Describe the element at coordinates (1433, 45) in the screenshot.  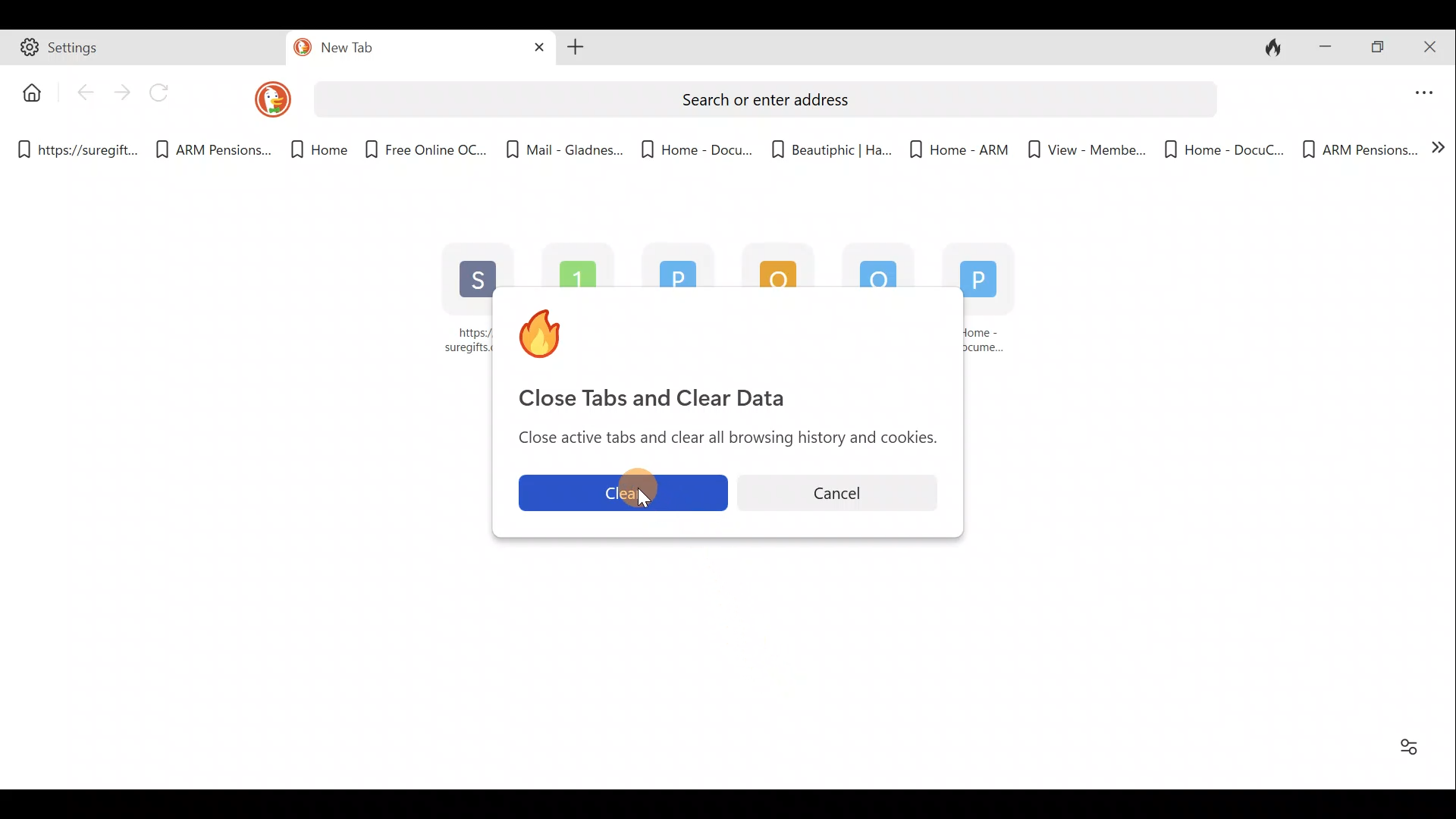
I see `Close` at that location.